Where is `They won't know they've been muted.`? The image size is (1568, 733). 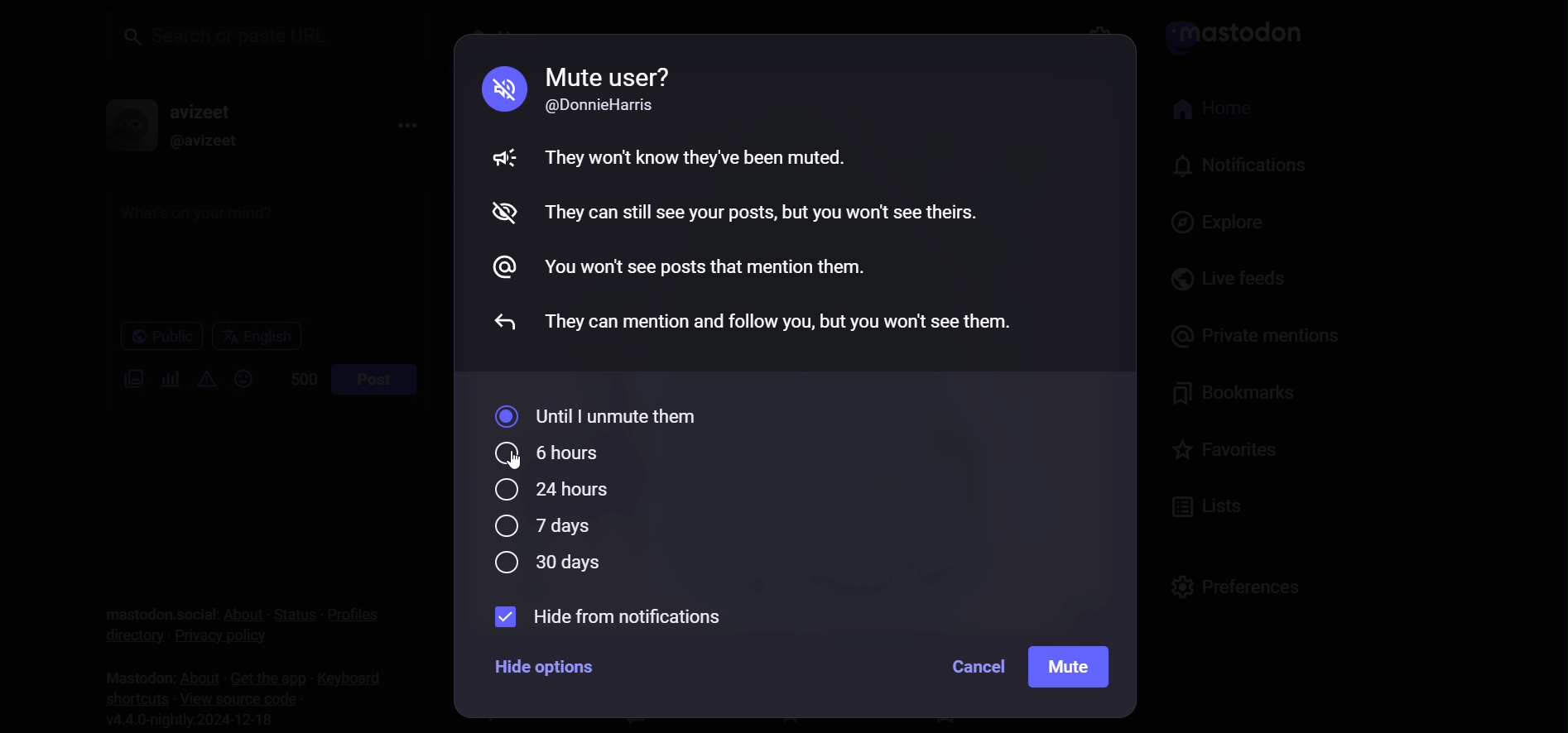
They won't know they've been muted. is located at coordinates (699, 156).